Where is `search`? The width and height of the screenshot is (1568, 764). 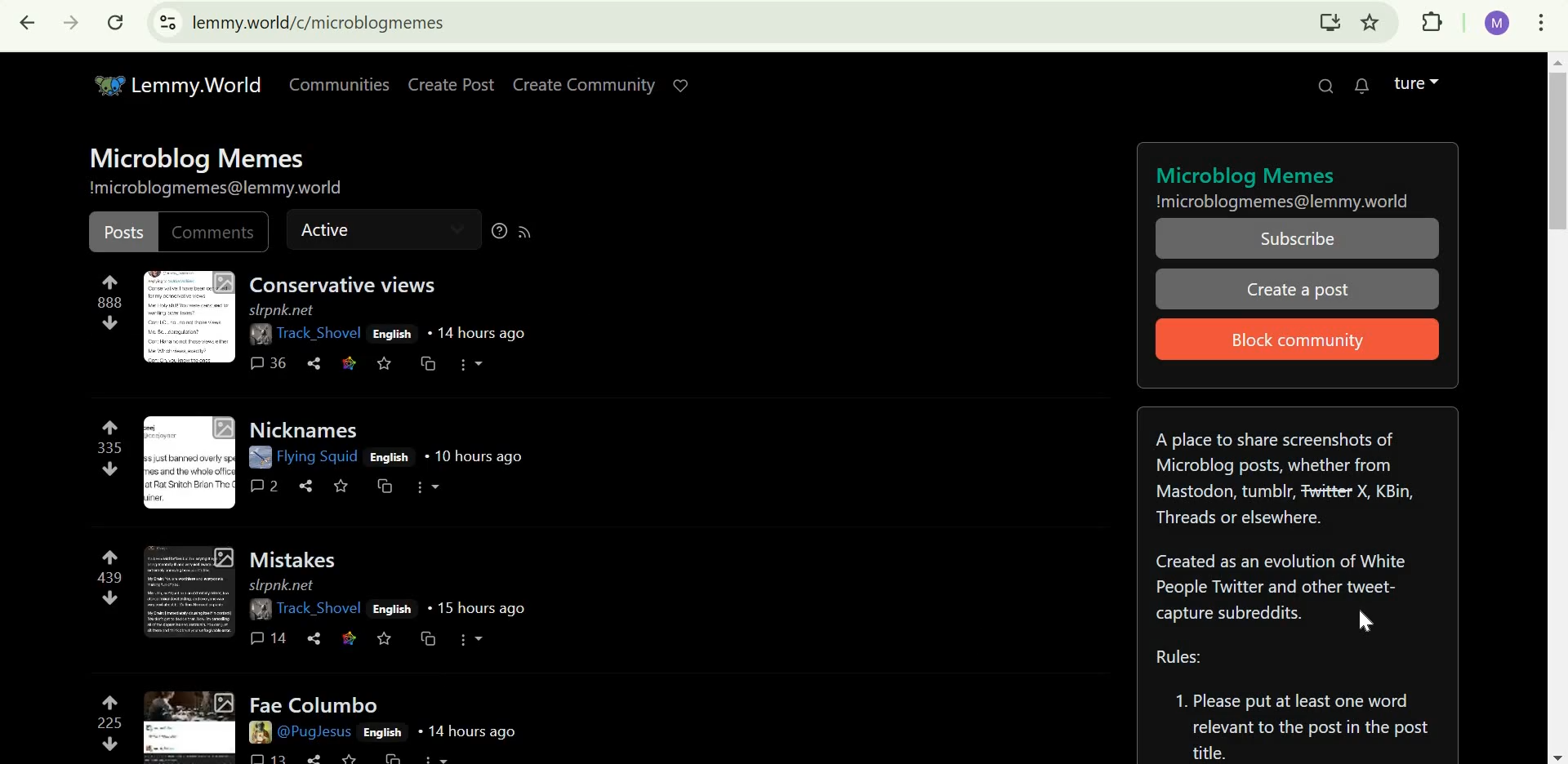
search is located at coordinates (1322, 91).